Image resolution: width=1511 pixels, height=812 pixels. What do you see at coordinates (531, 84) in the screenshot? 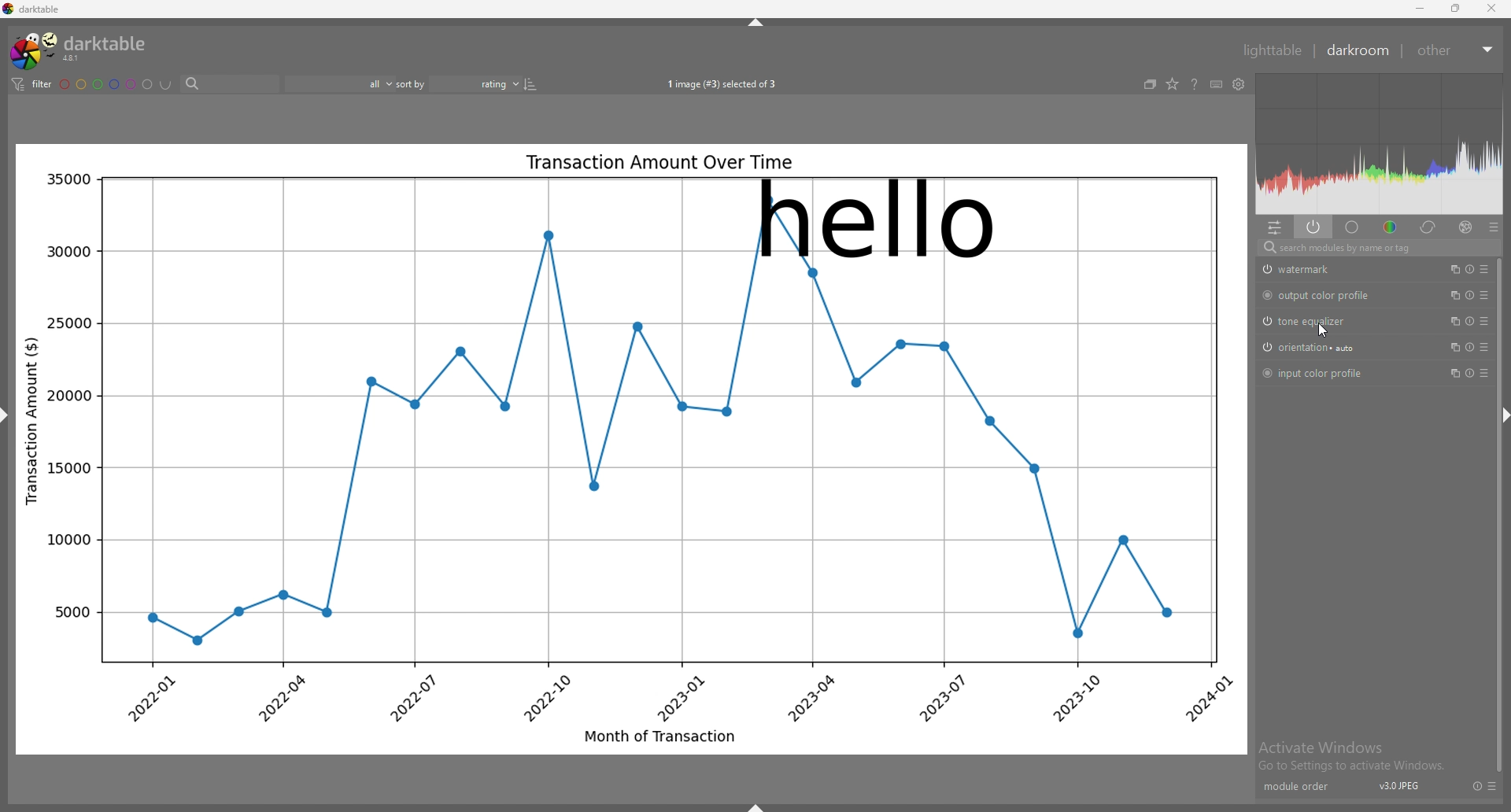
I see `reverse sort order` at bounding box center [531, 84].